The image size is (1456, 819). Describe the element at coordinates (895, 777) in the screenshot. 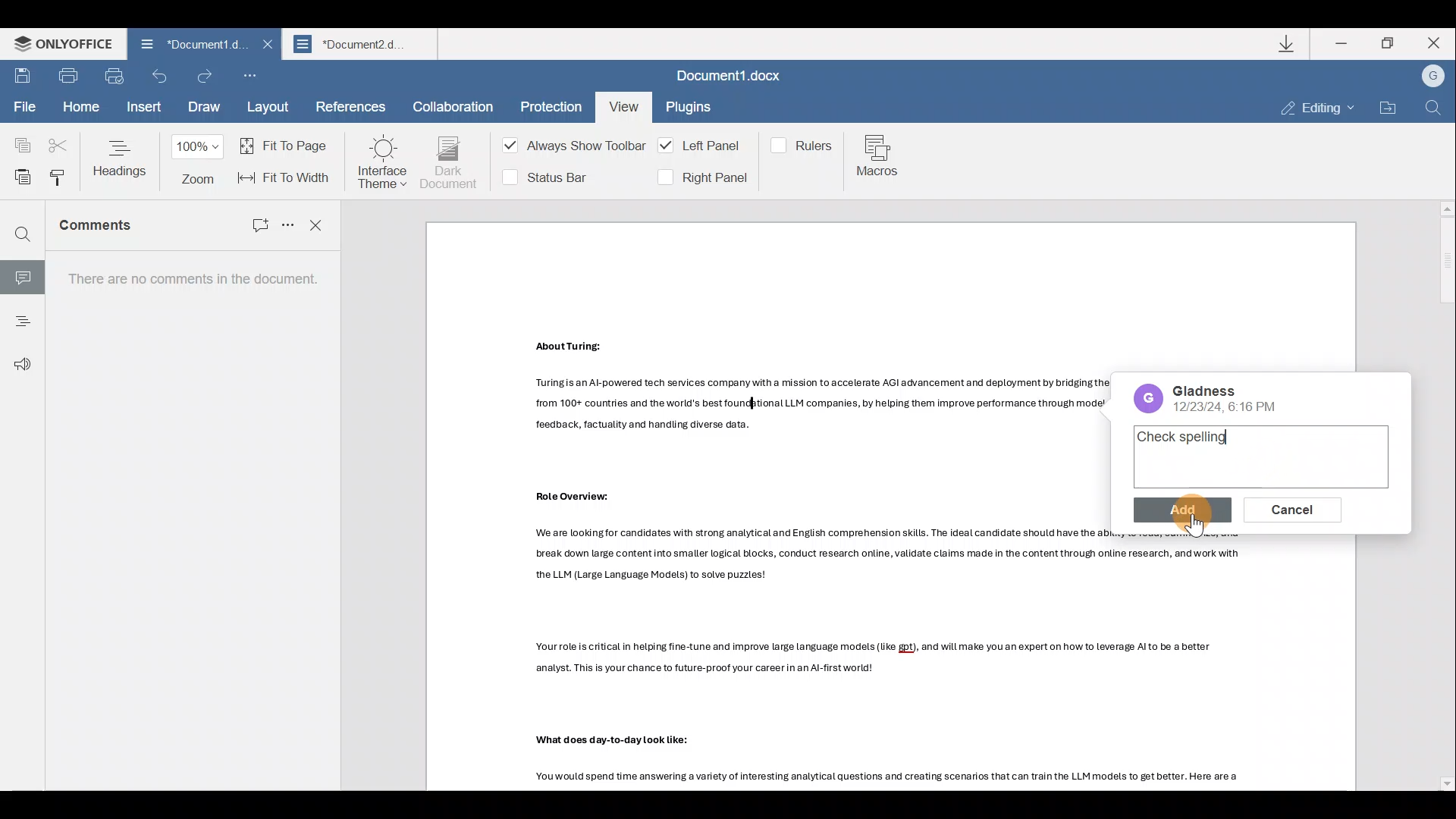

I see `` at that location.